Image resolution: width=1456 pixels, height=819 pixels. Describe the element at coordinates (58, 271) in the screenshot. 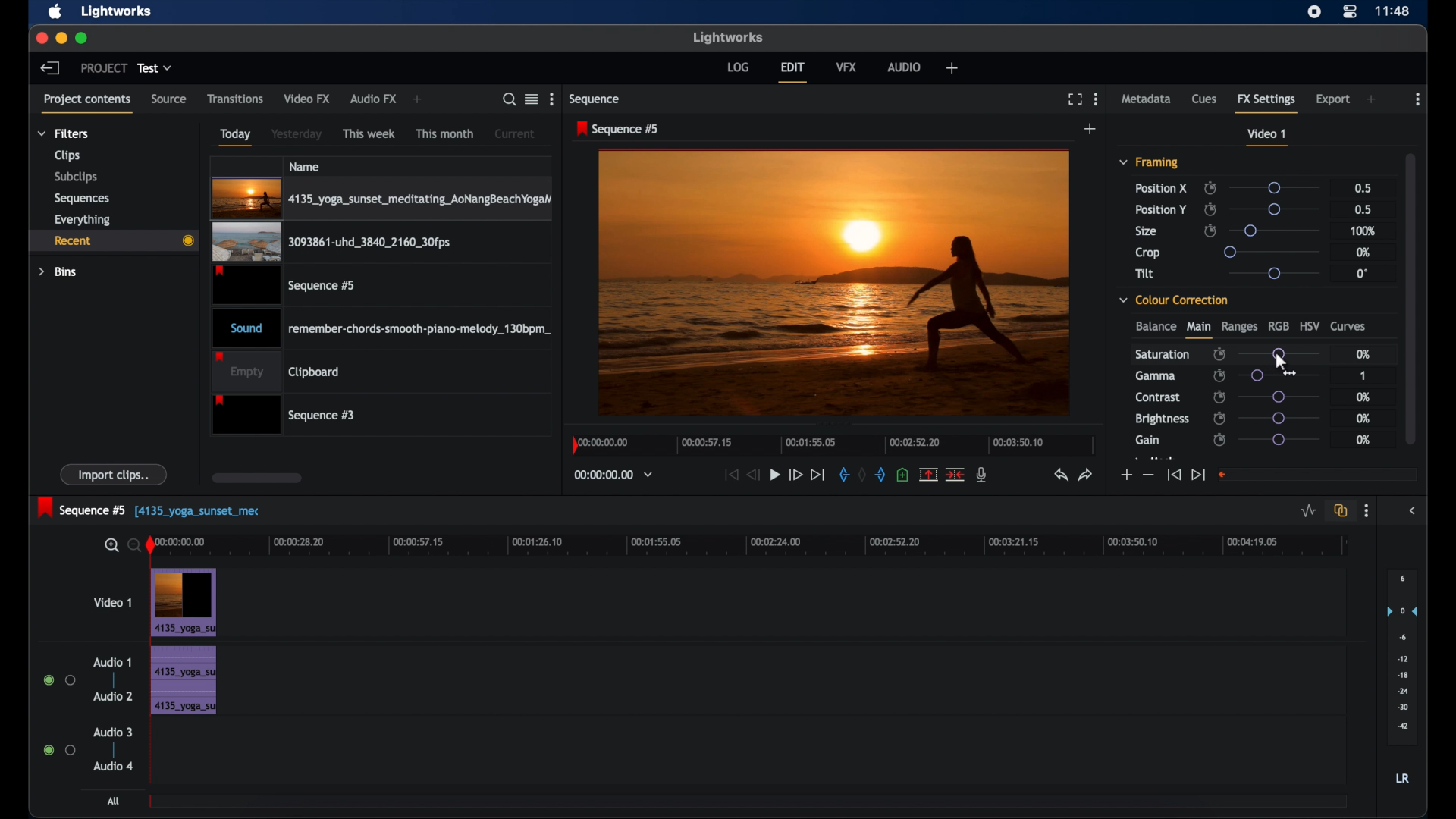

I see `bins` at that location.